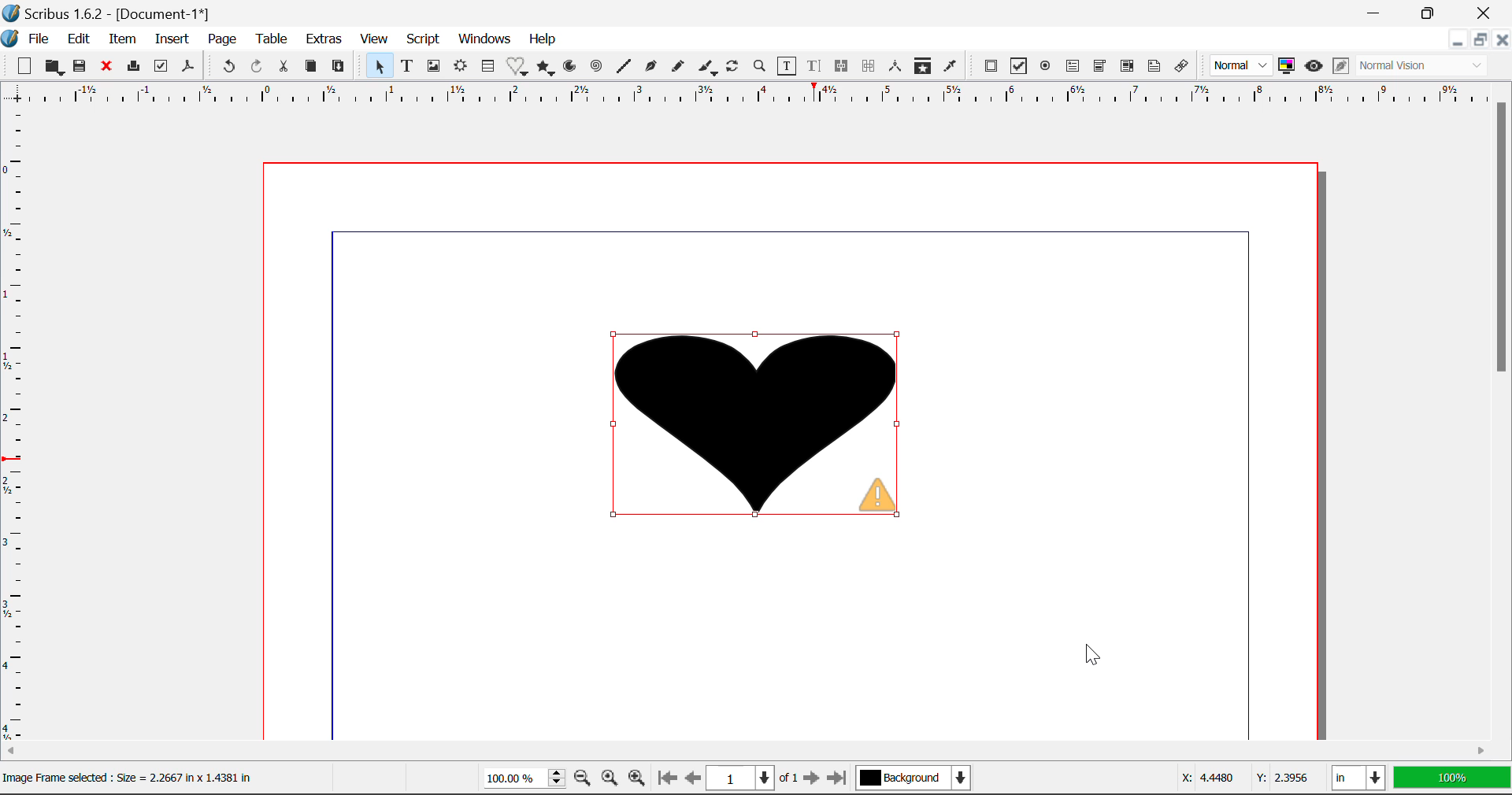  What do you see at coordinates (814, 68) in the screenshot?
I see `Edit Text in Story Editor` at bounding box center [814, 68].